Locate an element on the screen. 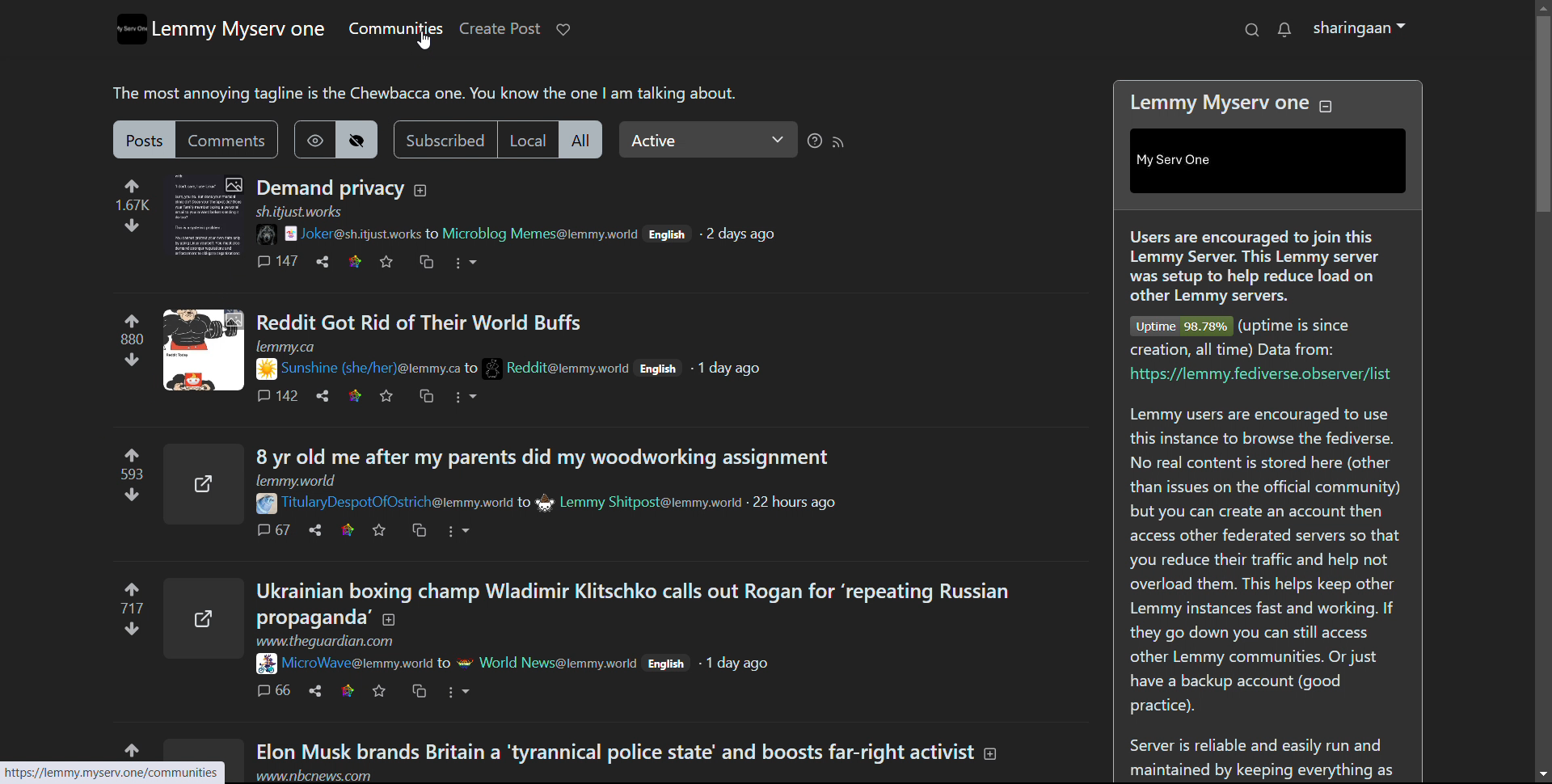  English is located at coordinates (666, 234).